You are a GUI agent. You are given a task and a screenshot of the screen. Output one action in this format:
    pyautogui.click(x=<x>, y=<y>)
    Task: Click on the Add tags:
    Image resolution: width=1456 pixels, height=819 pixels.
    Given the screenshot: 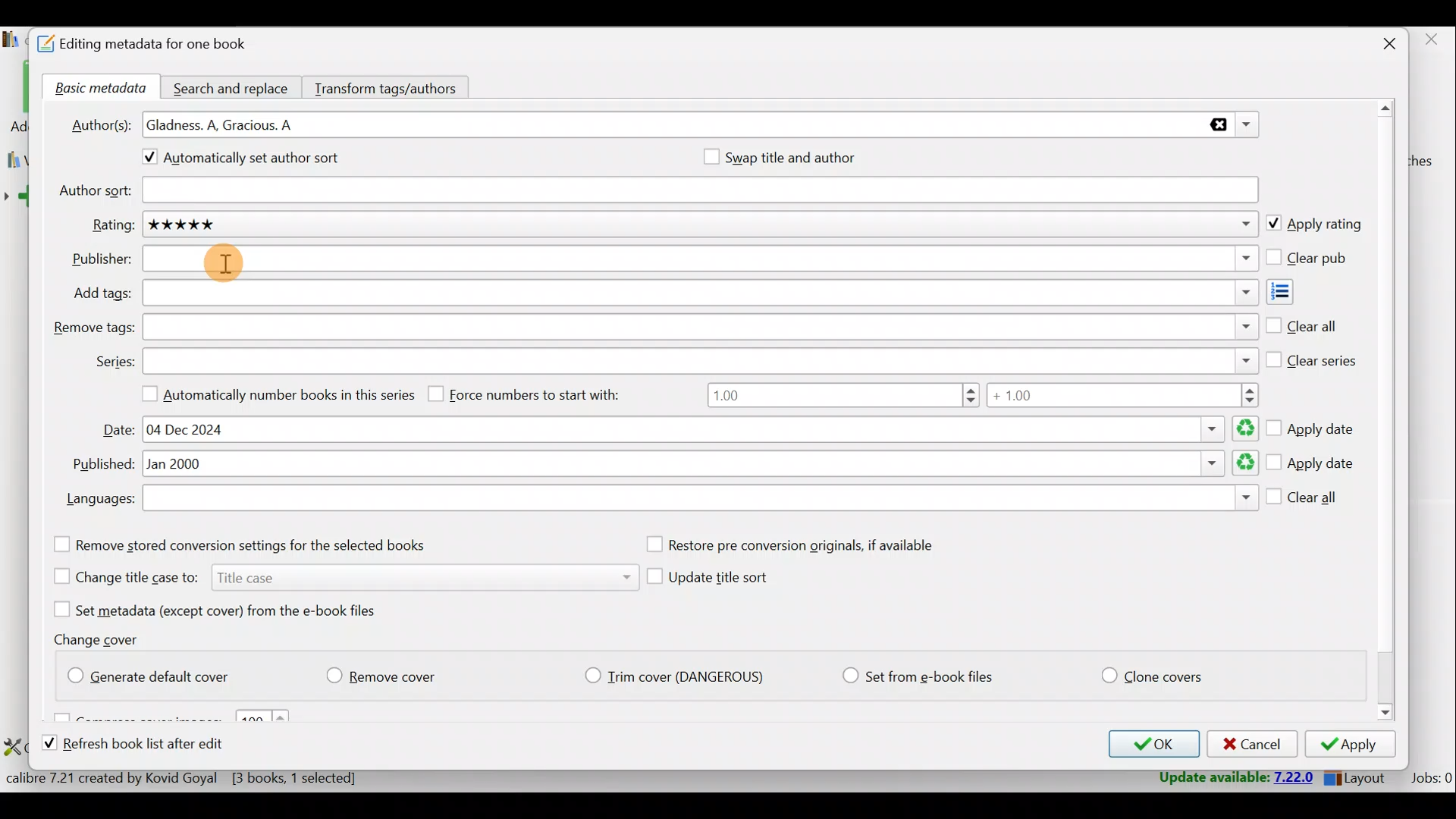 What is the action you would take?
    pyautogui.click(x=102, y=293)
    